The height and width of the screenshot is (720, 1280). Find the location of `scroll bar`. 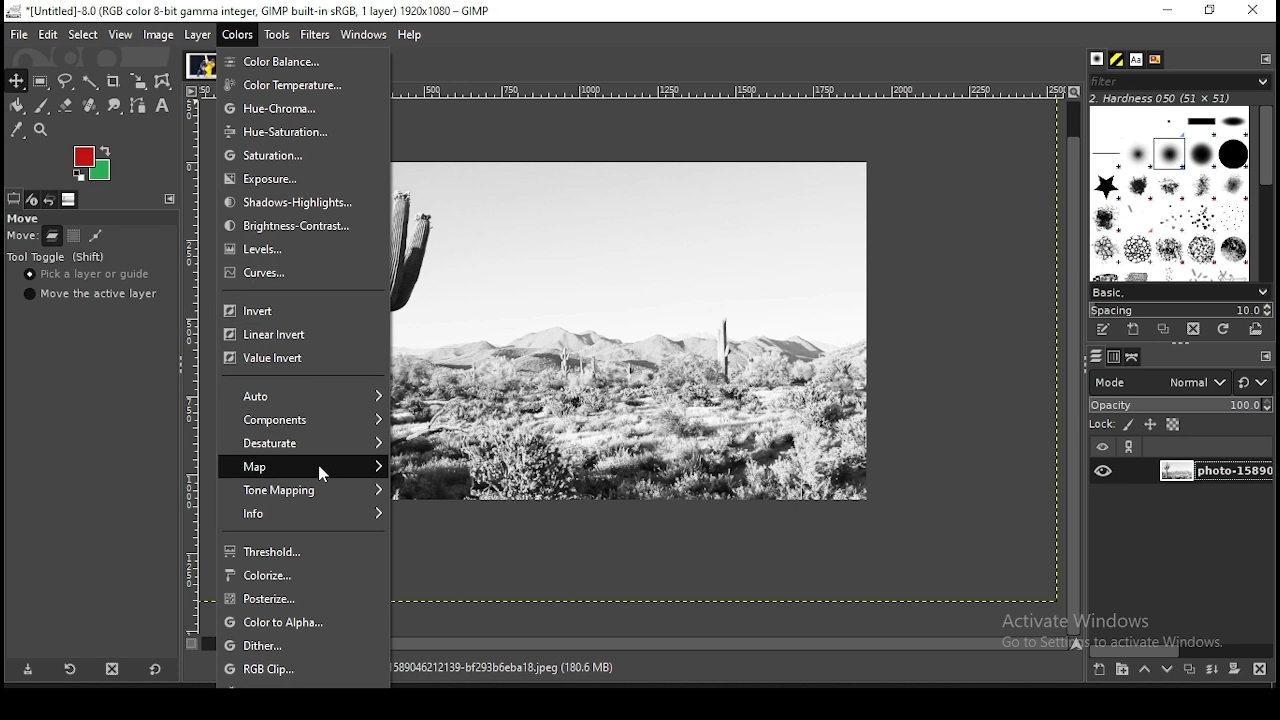

scroll bar is located at coordinates (1266, 191).